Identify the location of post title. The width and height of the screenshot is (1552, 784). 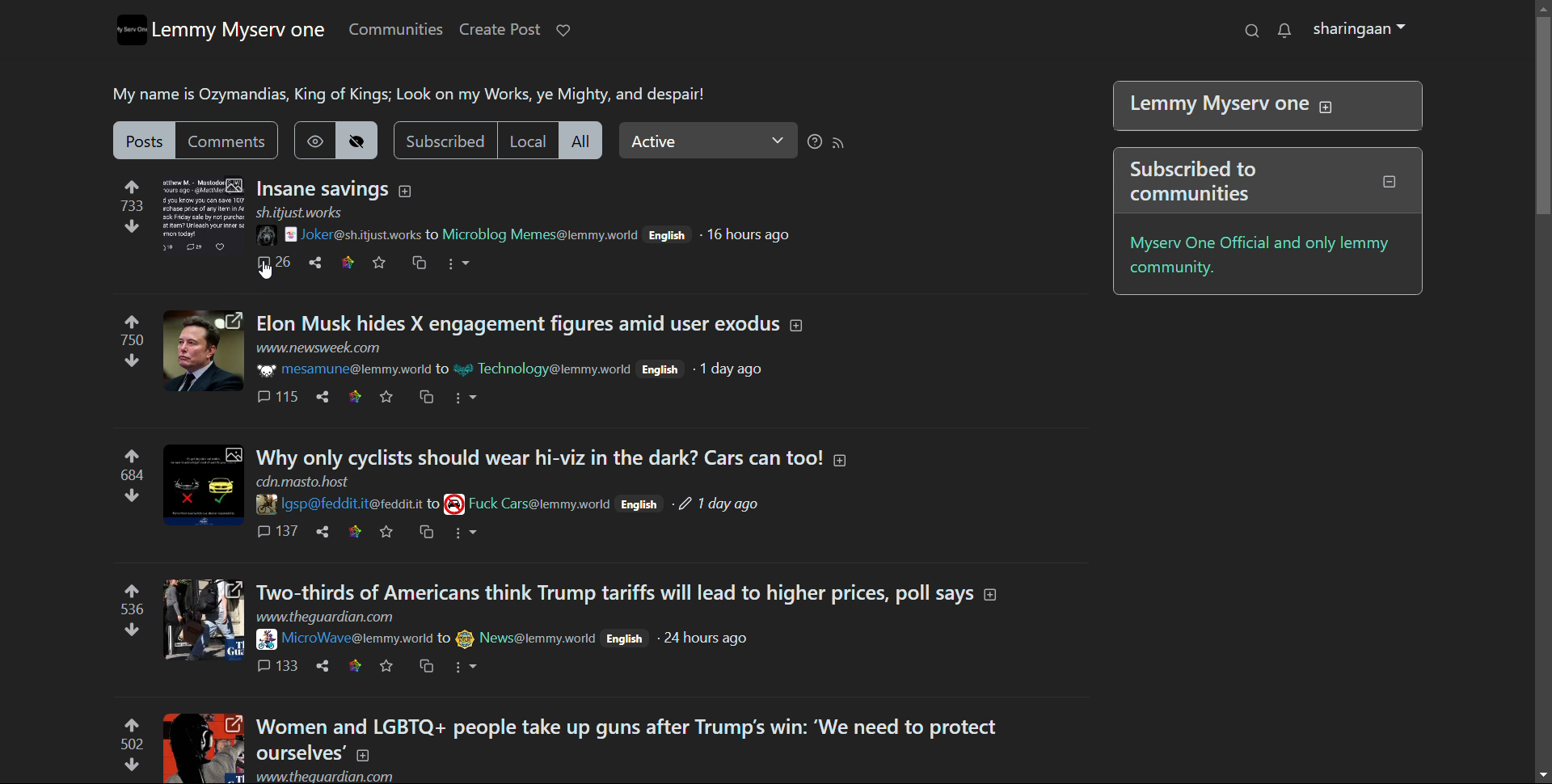
(615, 592).